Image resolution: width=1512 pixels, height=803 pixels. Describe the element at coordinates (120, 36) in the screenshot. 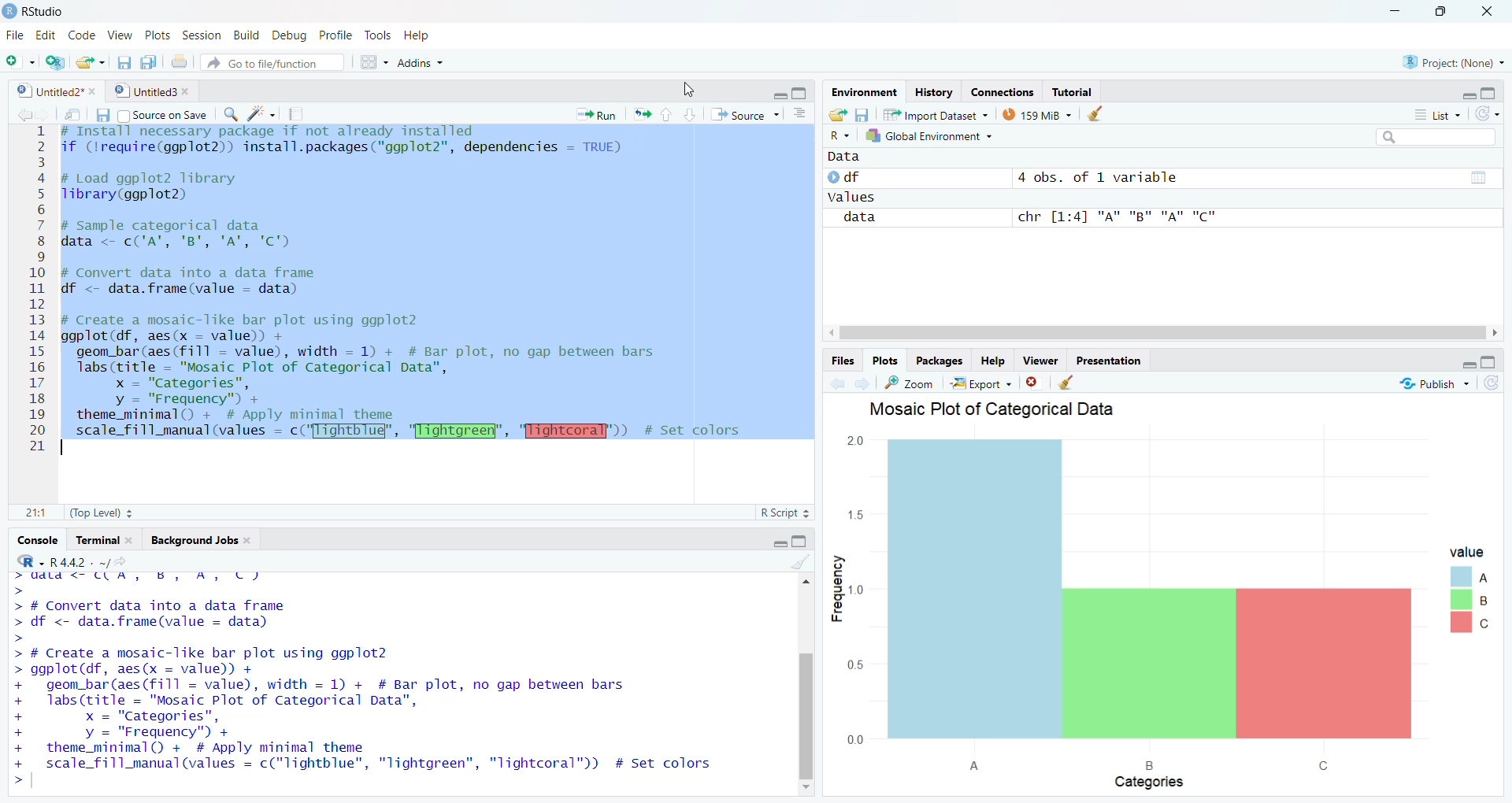

I see `View` at that location.